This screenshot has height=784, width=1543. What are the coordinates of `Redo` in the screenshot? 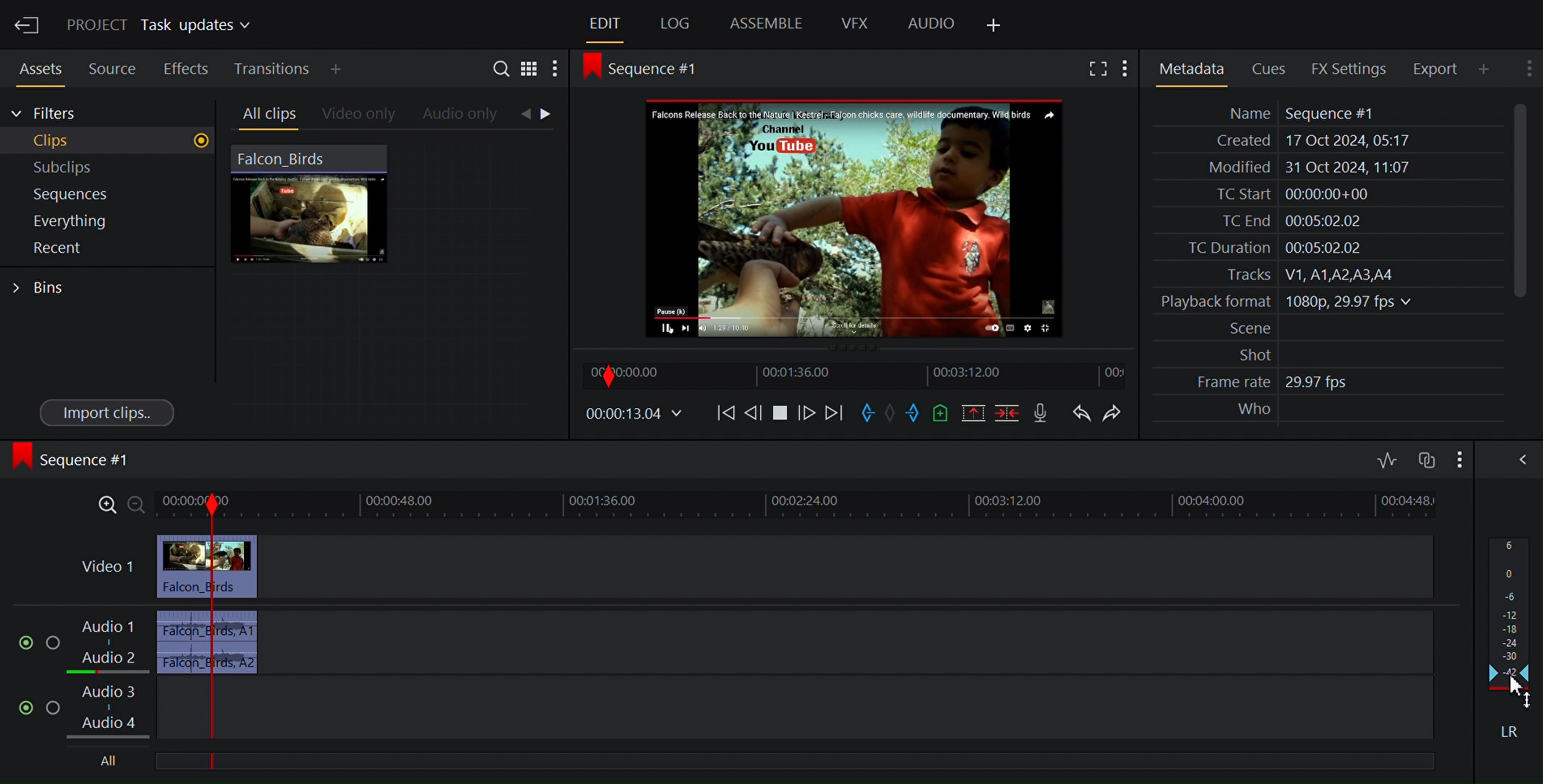 It's located at (1113, 411).